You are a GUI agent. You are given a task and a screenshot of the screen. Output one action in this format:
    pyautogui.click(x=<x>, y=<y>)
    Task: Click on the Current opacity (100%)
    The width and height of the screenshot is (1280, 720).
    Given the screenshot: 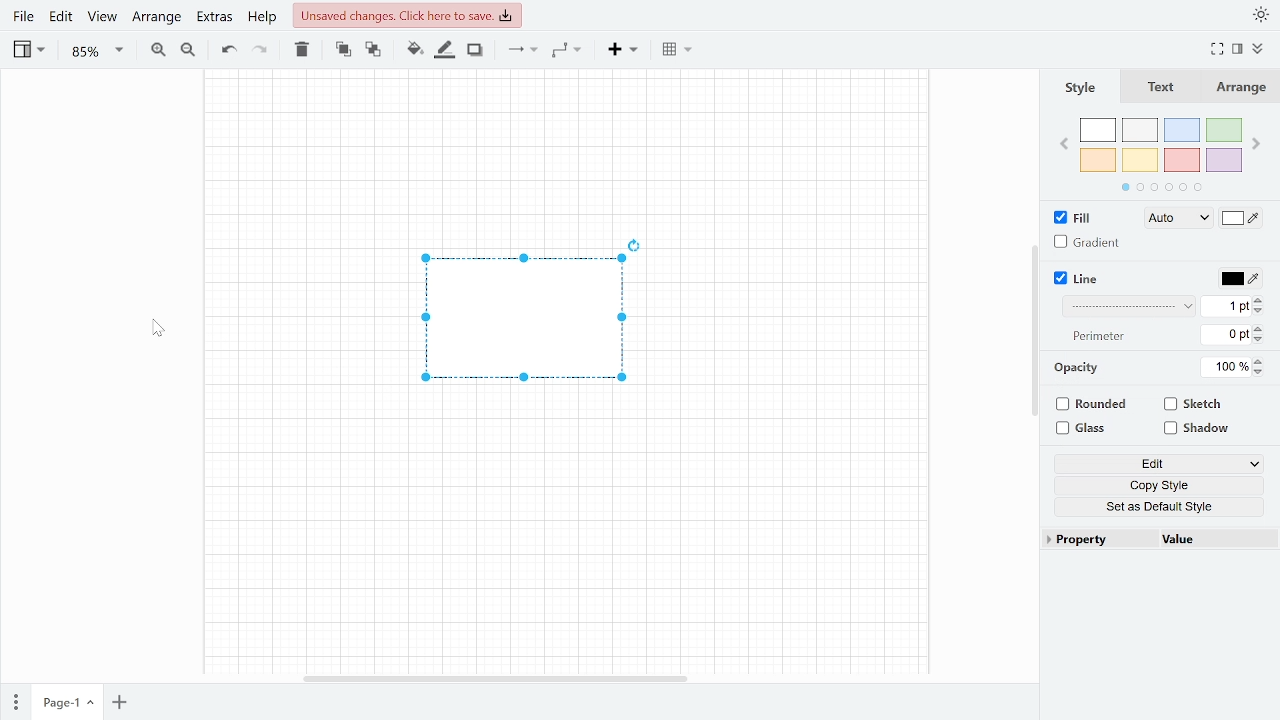 What is the action you would take?
    pyautogui.click(x=1228, y=368)
    